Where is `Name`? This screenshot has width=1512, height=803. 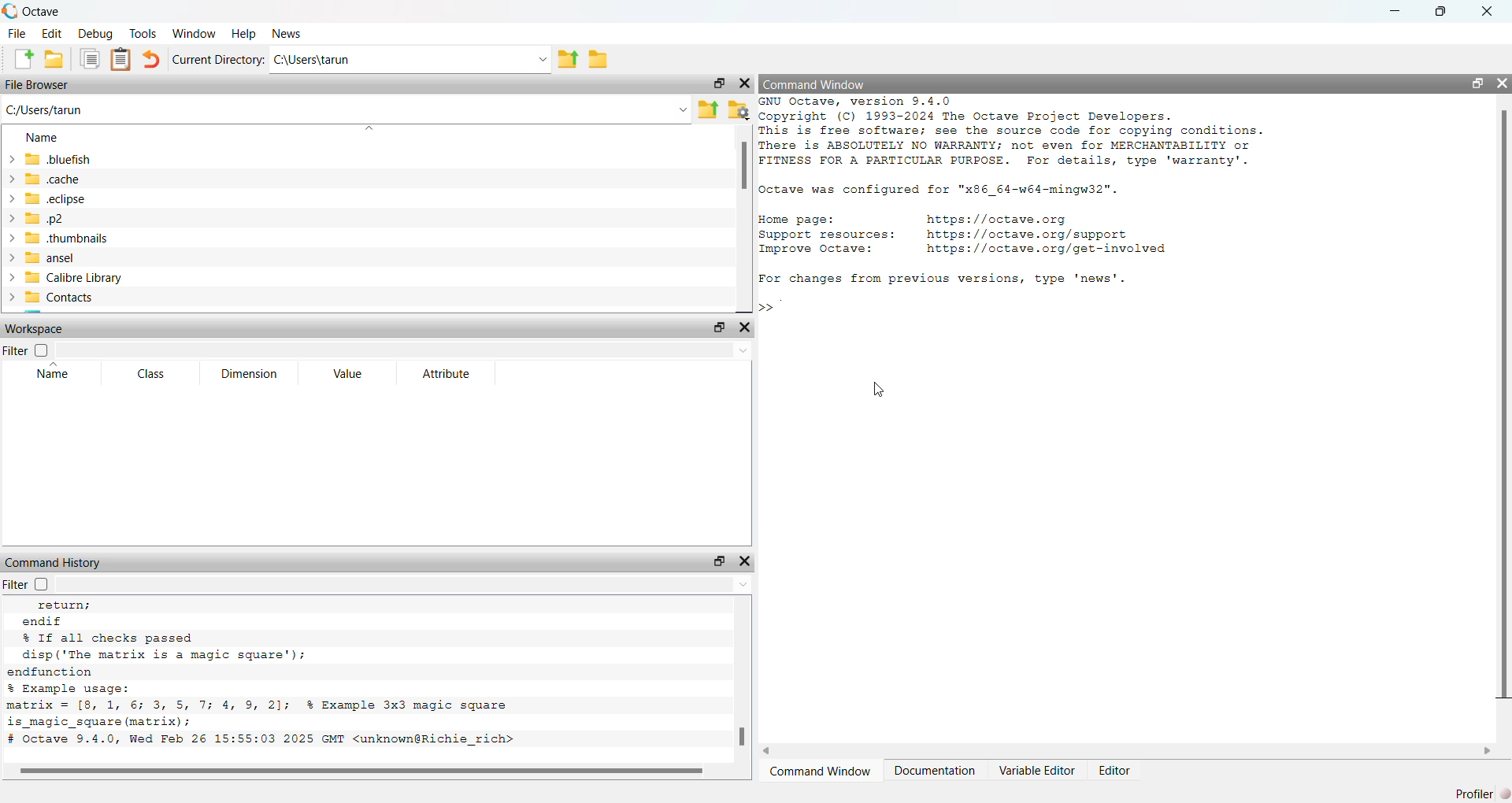
Name is located at coordinates (52, 372).